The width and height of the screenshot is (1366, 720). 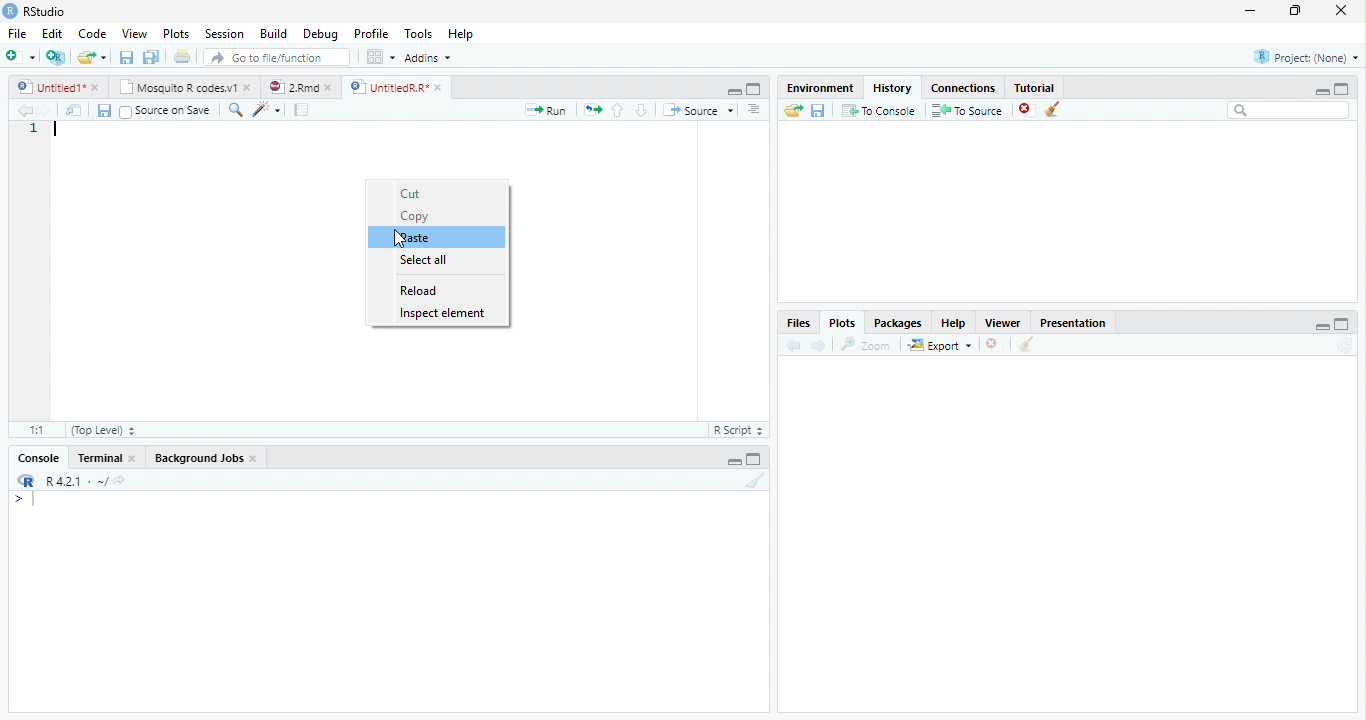 I want to click on close, so click(x=256, y=460).